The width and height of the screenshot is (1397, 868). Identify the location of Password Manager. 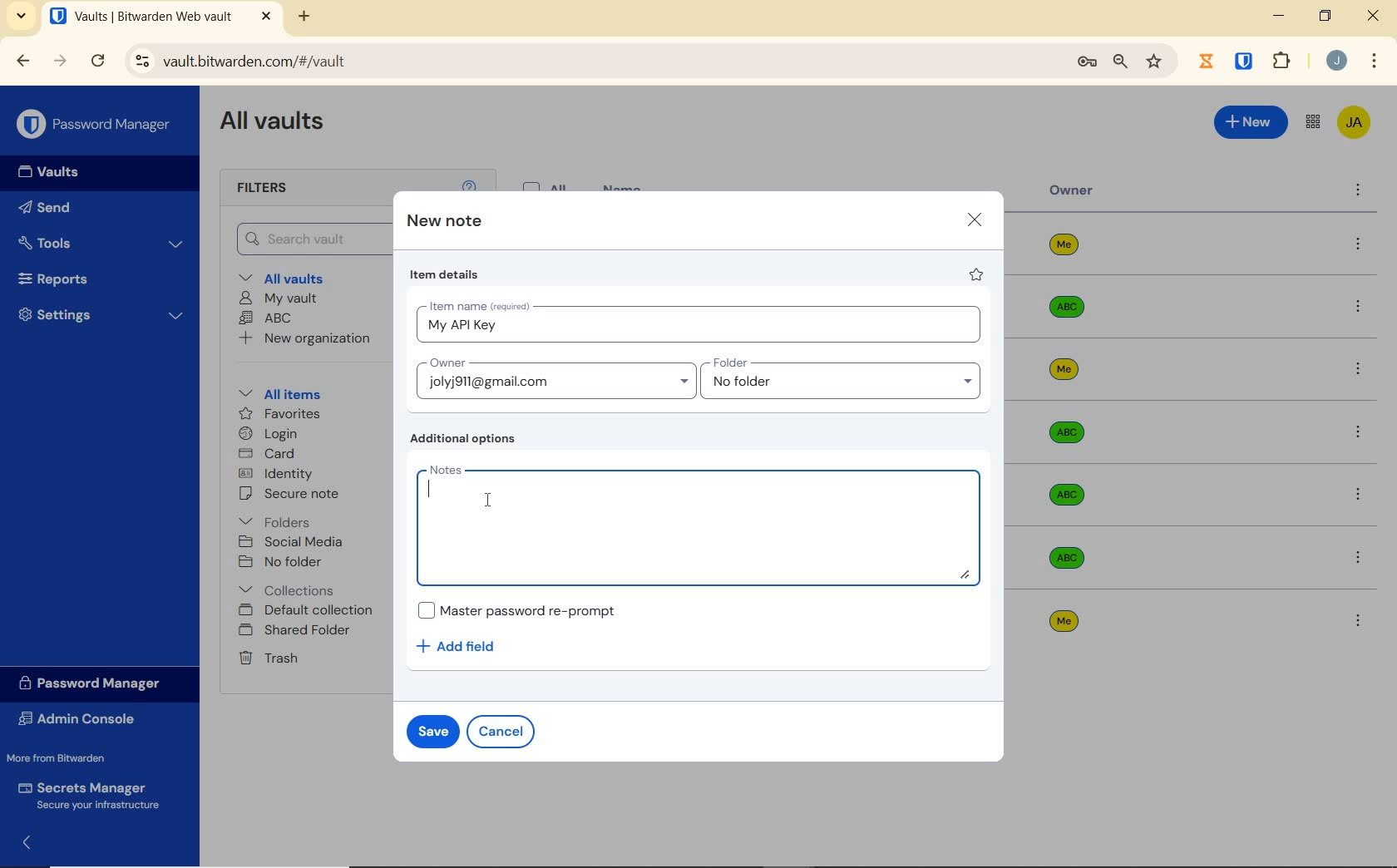
(95, 683).